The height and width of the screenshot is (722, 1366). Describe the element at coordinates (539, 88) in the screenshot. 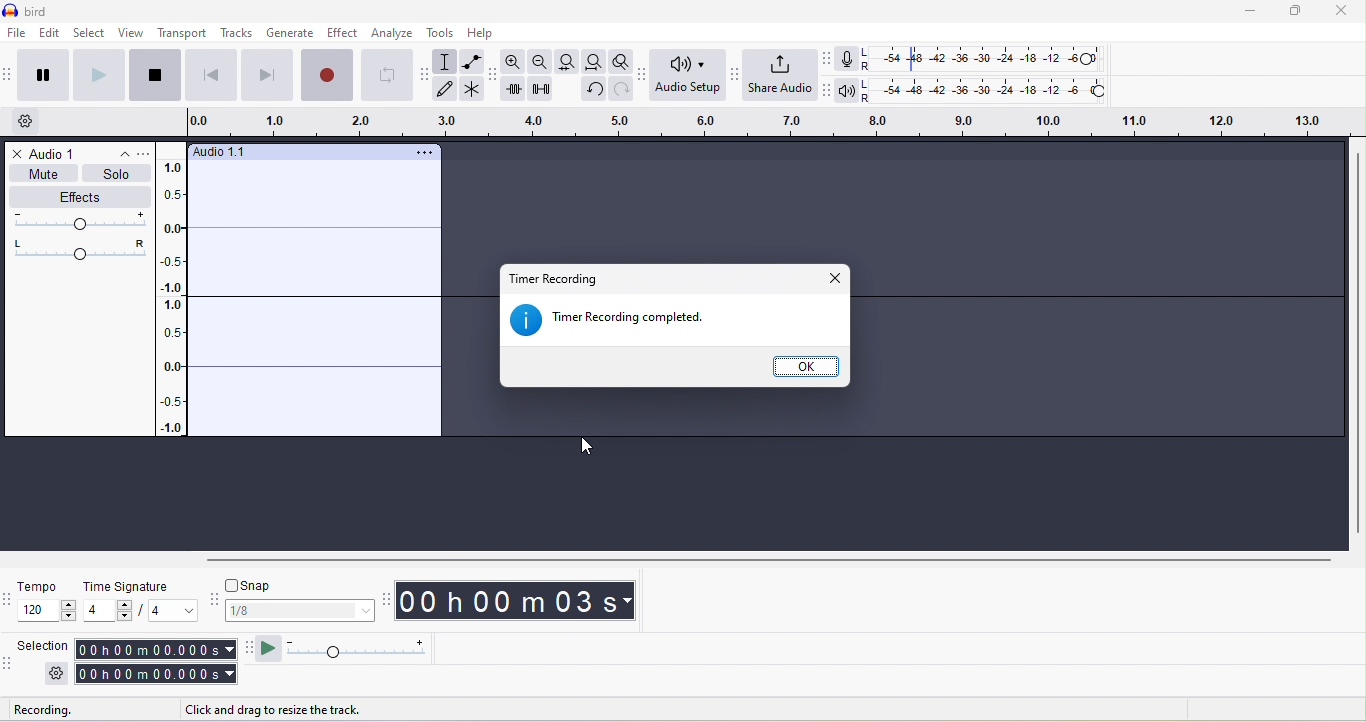

I see `silence audio selection` at that location.